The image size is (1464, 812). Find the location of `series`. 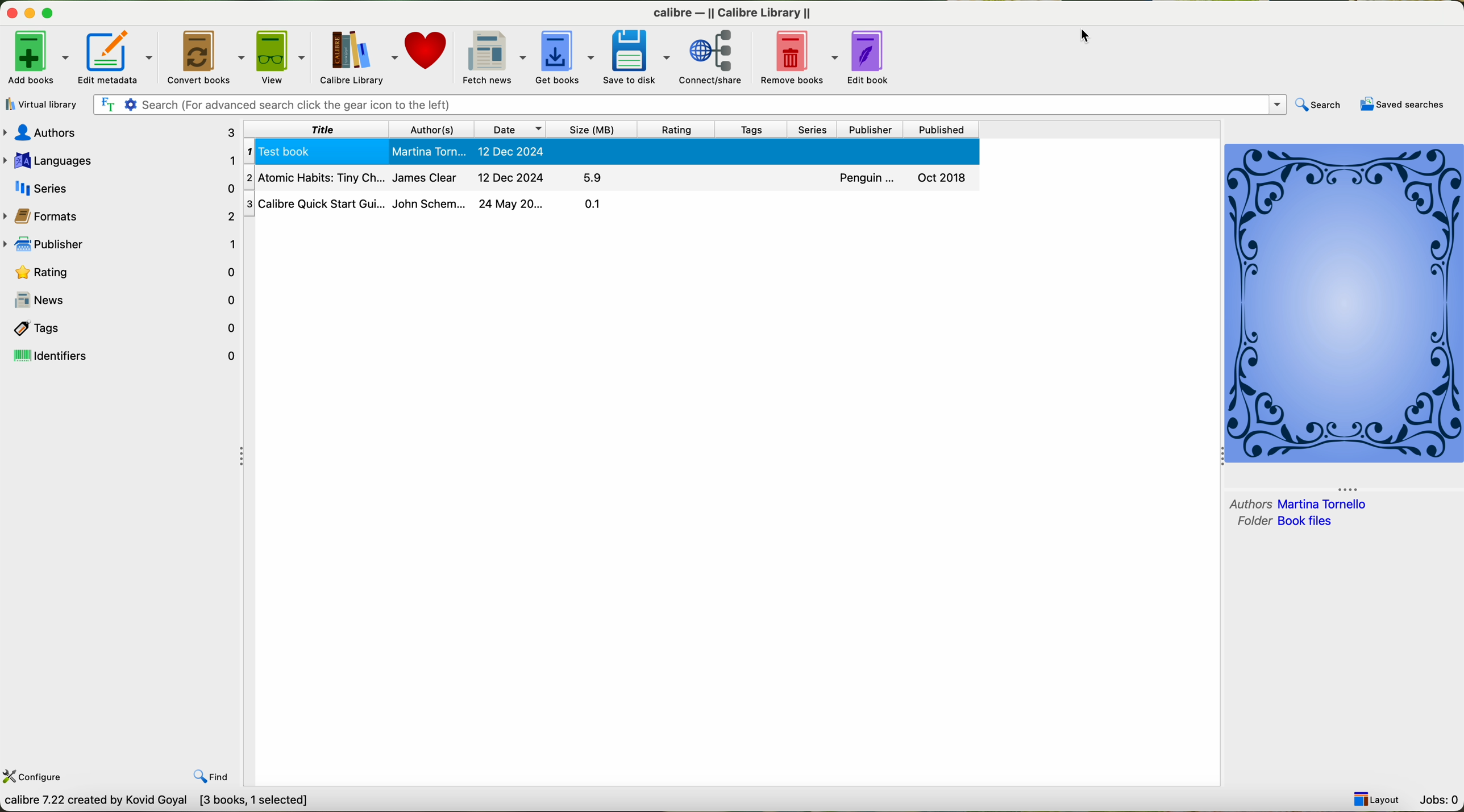

series is located at coordinates (119, 188).